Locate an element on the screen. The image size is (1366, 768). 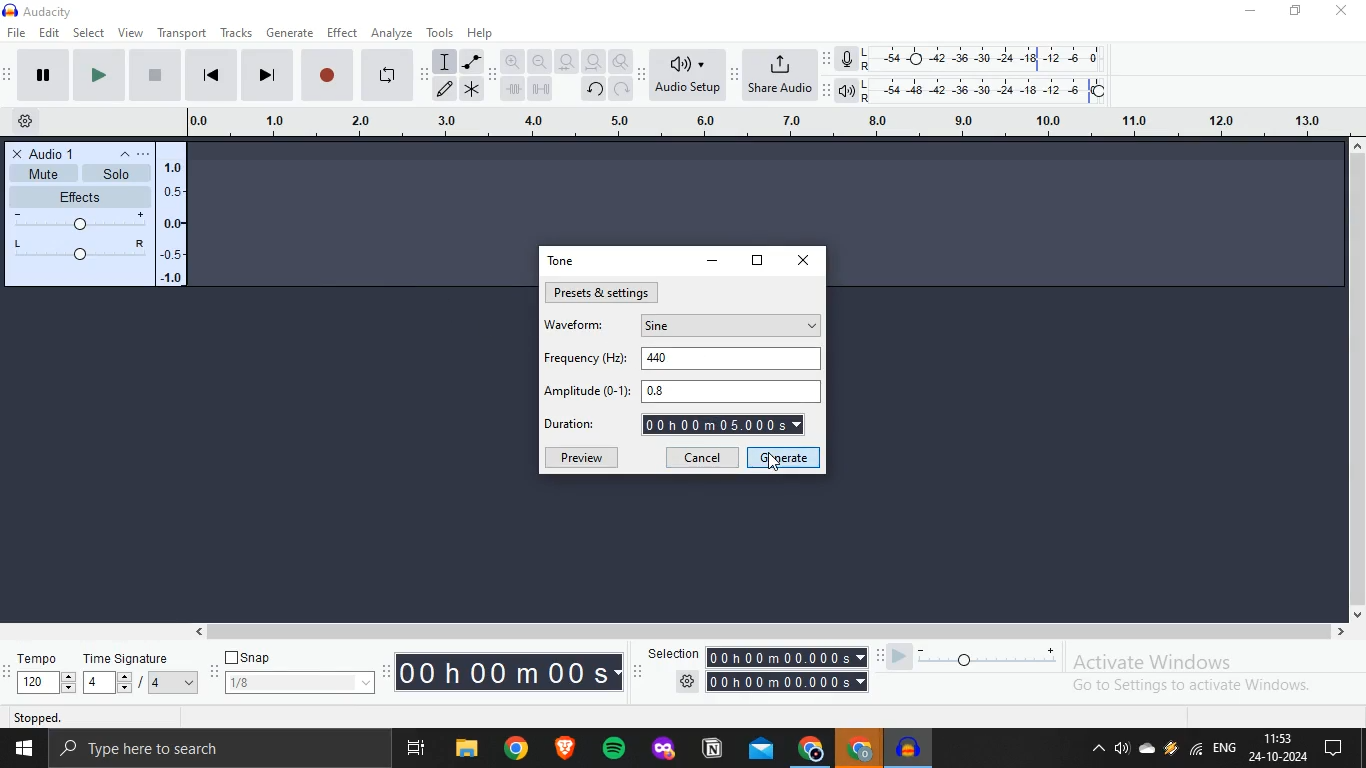
Brave is located at coordinates (569, 748).